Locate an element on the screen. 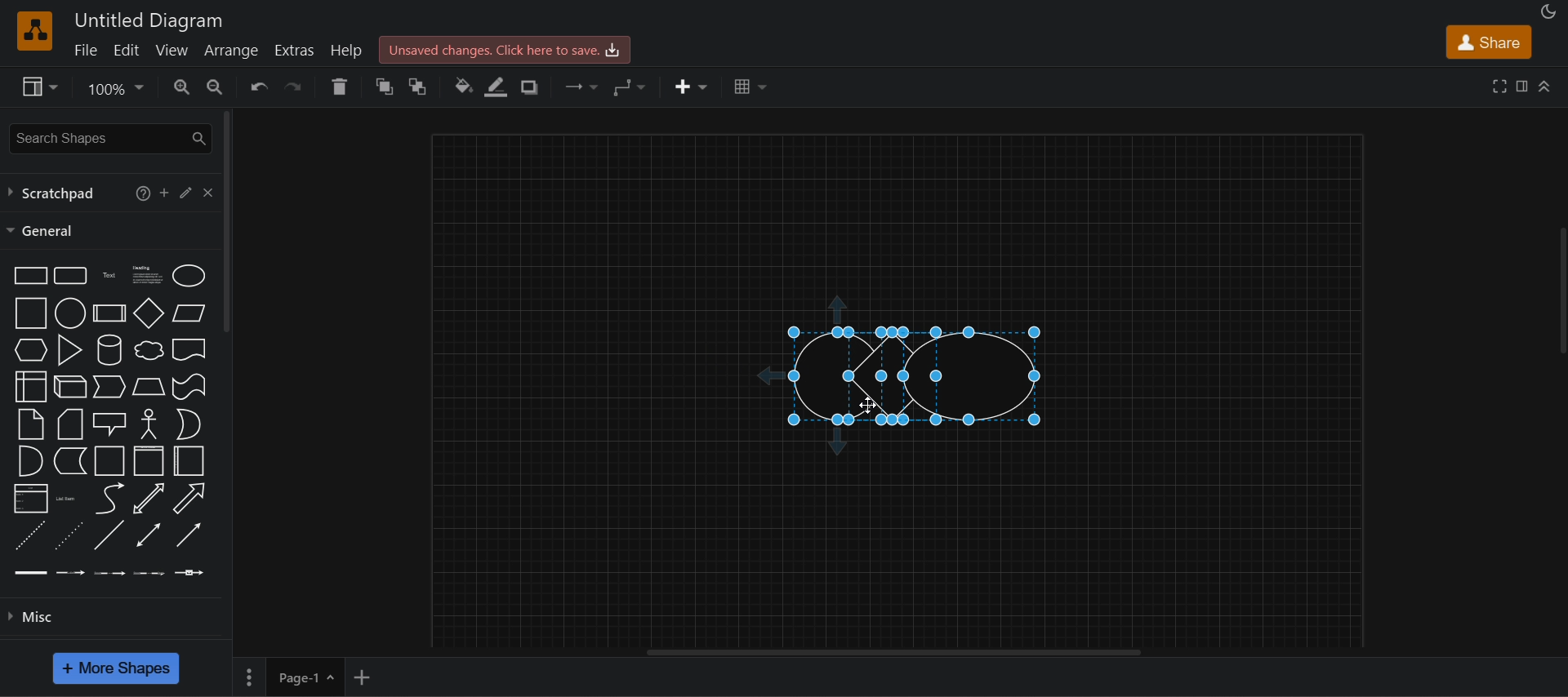 This screenshot has height=697, width=1568. extras is located at coordinates (296, 51).